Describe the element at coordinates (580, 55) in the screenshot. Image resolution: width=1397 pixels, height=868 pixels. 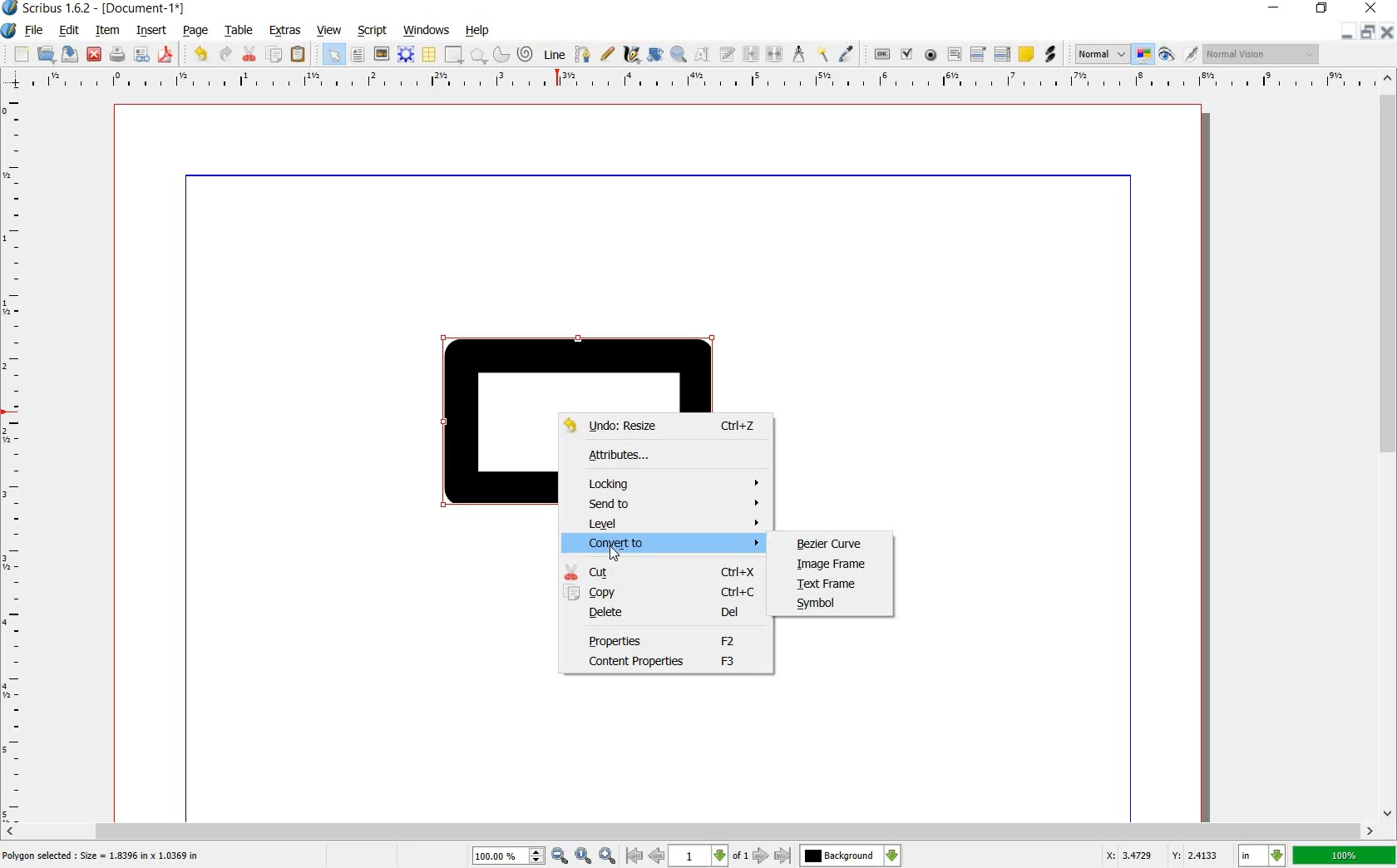
I see `bezier curve` at that location.